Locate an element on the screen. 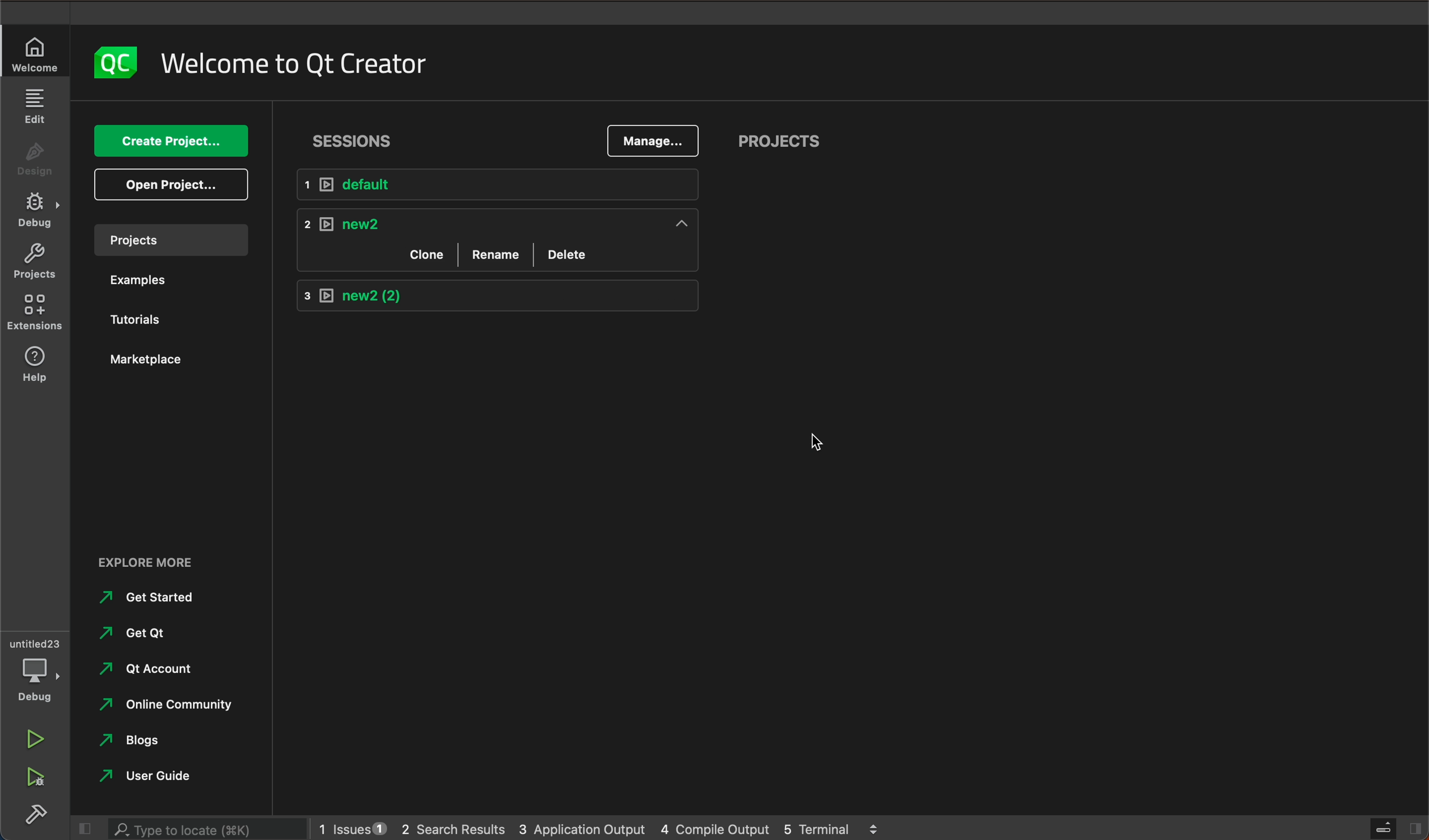 The width and height of the screenshot is (1429, 840). projects is located at coordinates (778, 139).